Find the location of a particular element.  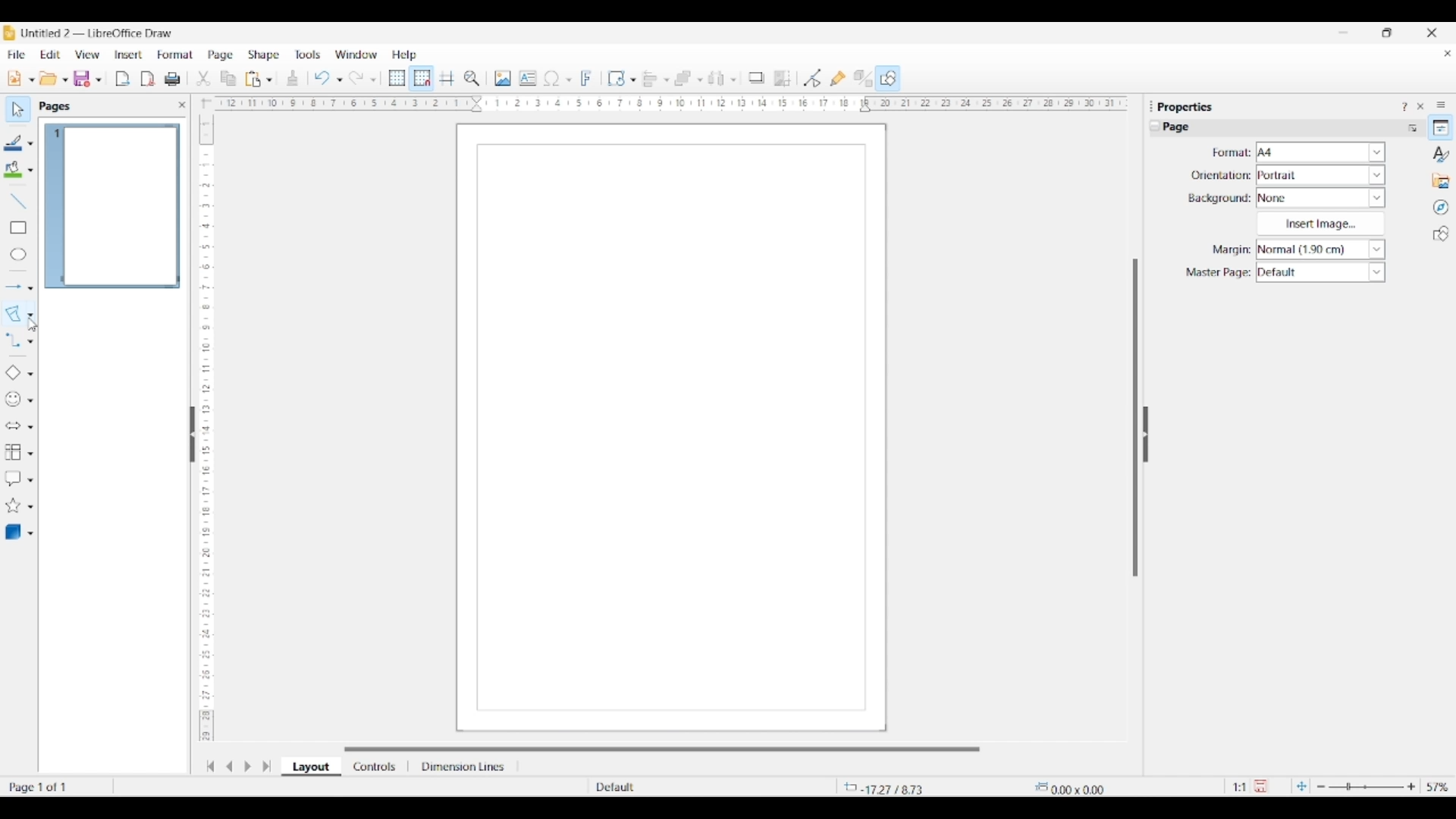

Selected new document is located at coordinates (13, 79).